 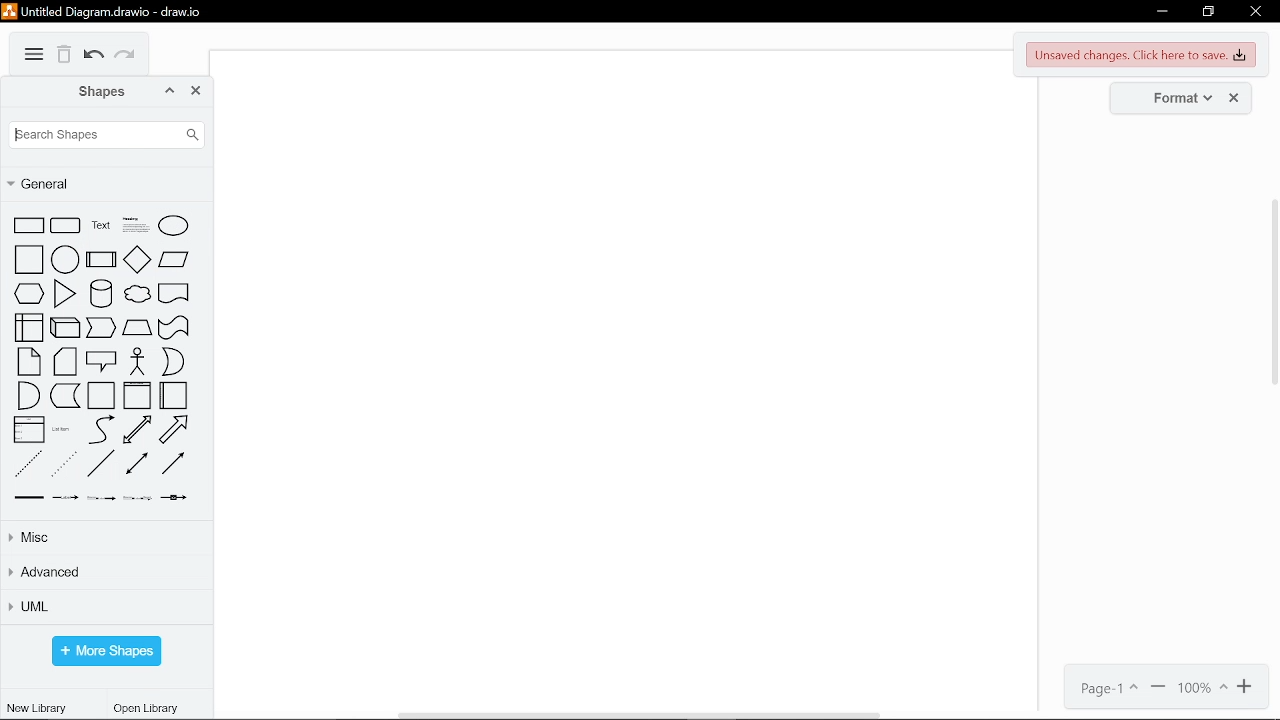 What do you see at coordinates (138, 430) in the screenshot?
I see `bidirectional arrow` at bounding box center [138, 430].